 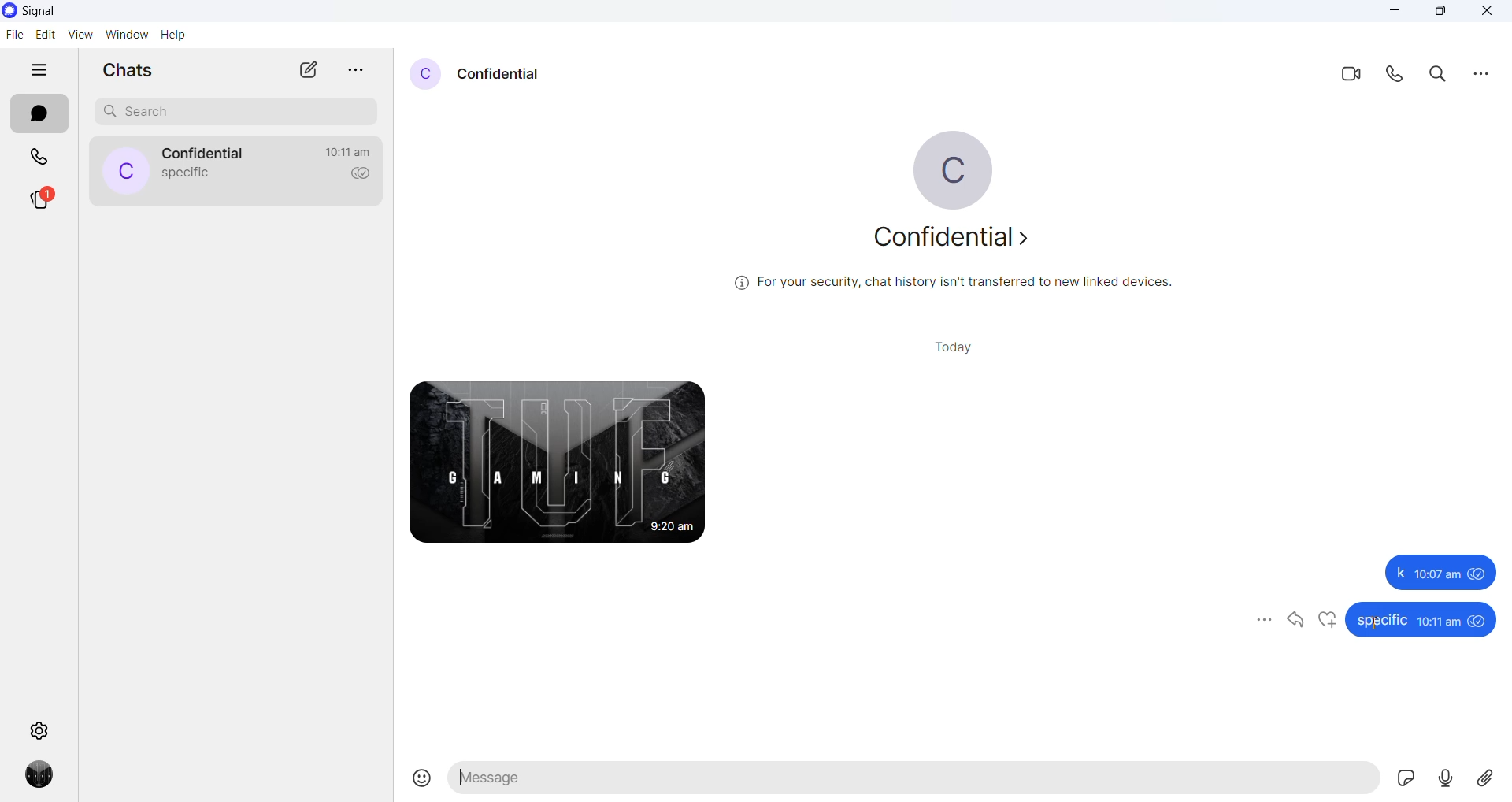 I want to click on about contact, so click(x=949, y=239).